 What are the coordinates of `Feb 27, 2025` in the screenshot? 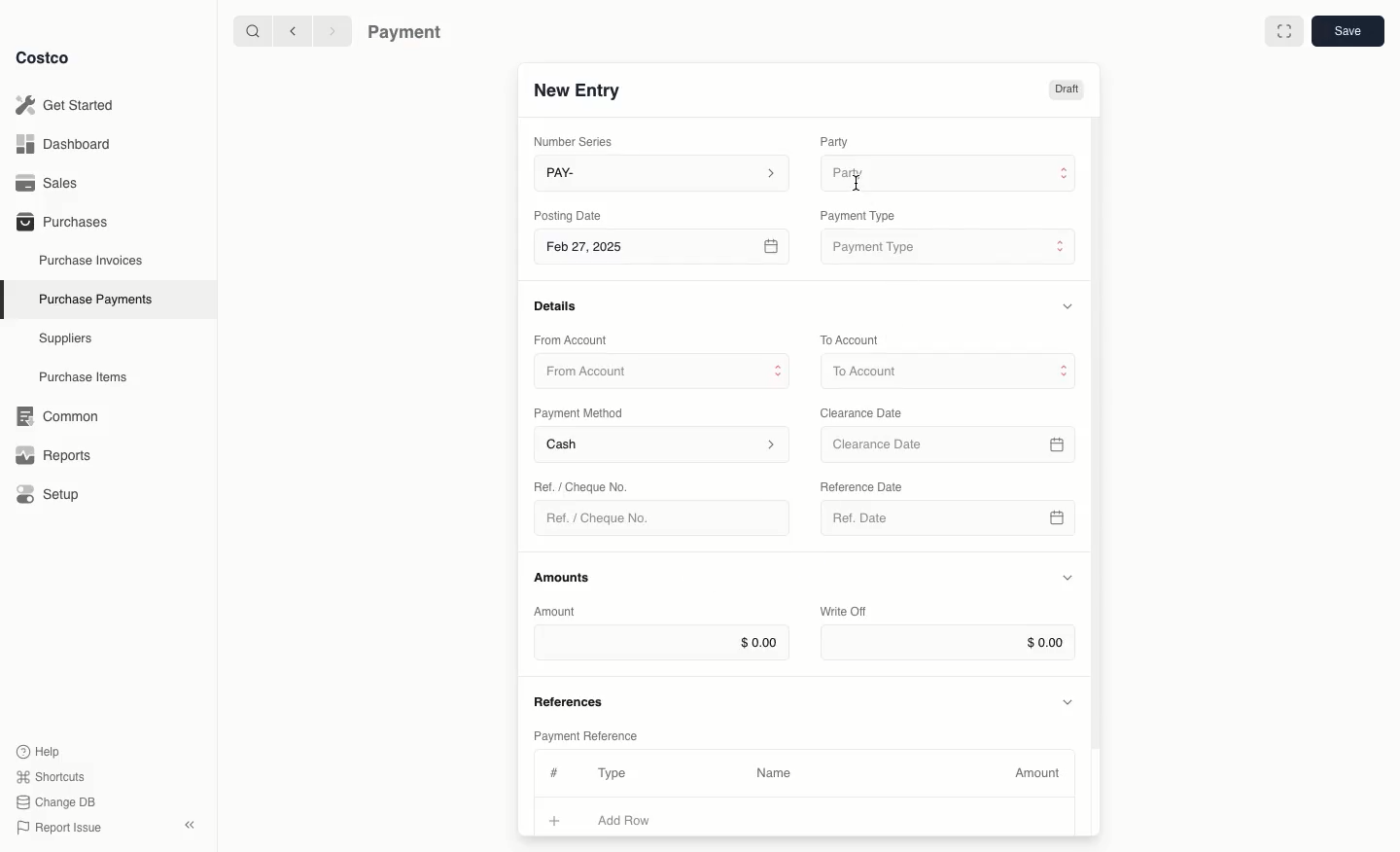 It's located at (664, 250).